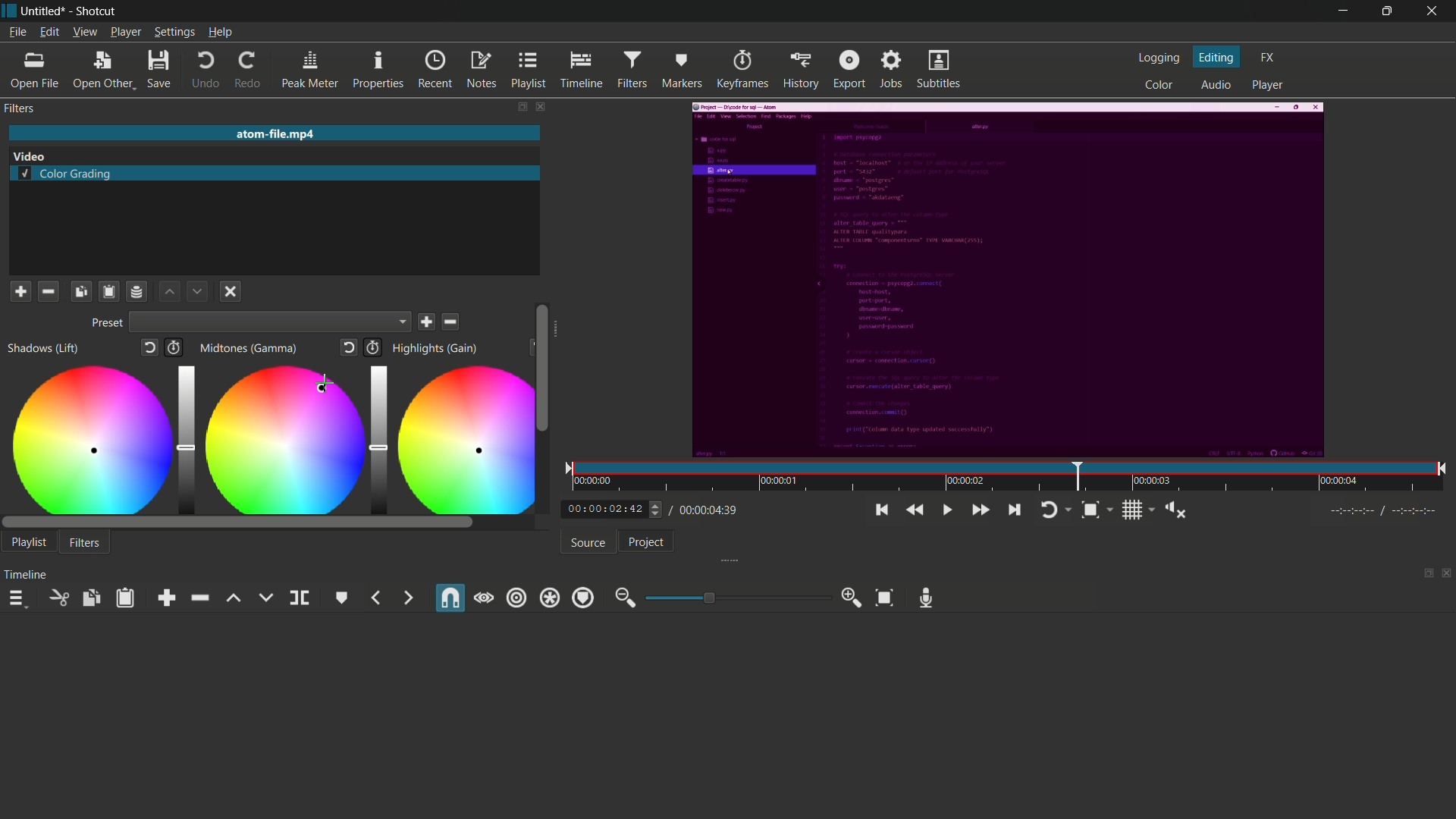  What do you see at coordinates (1179, 511) in the screenshot?
I see `show volume control` at bounding box center [1179, 511].